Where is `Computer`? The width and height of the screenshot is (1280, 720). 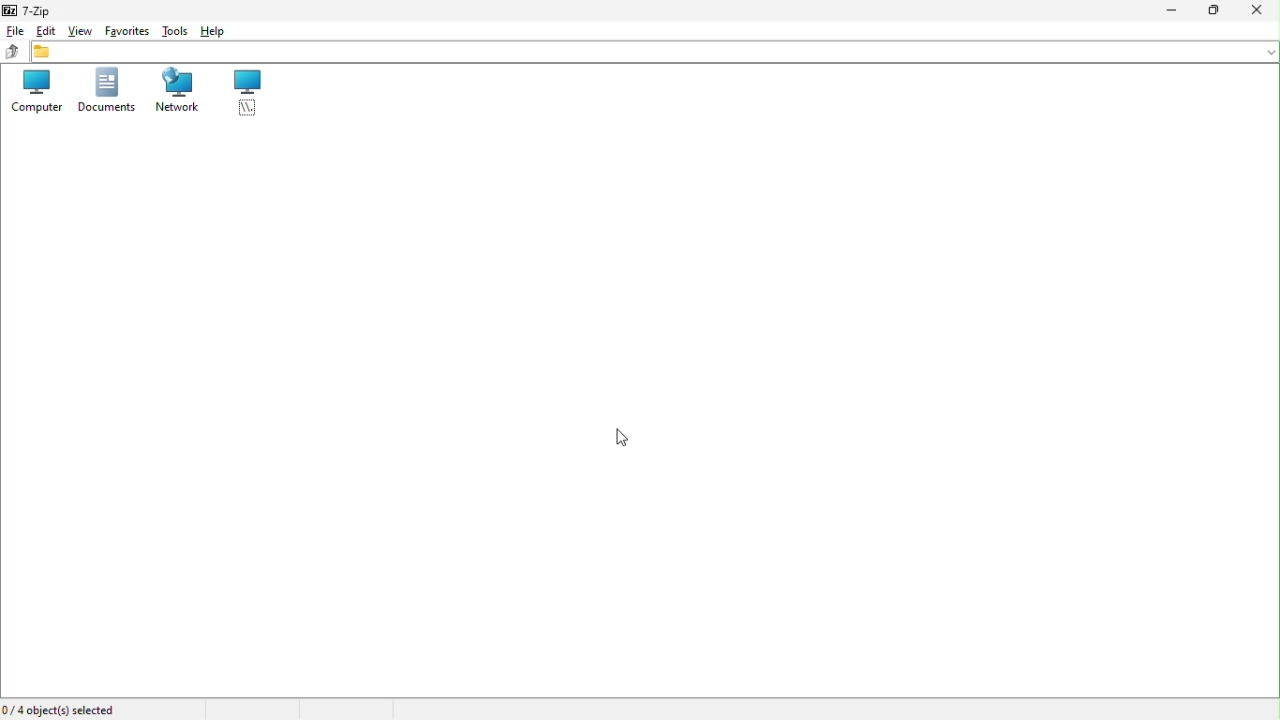 Computer is located at coordinates (35, 93).